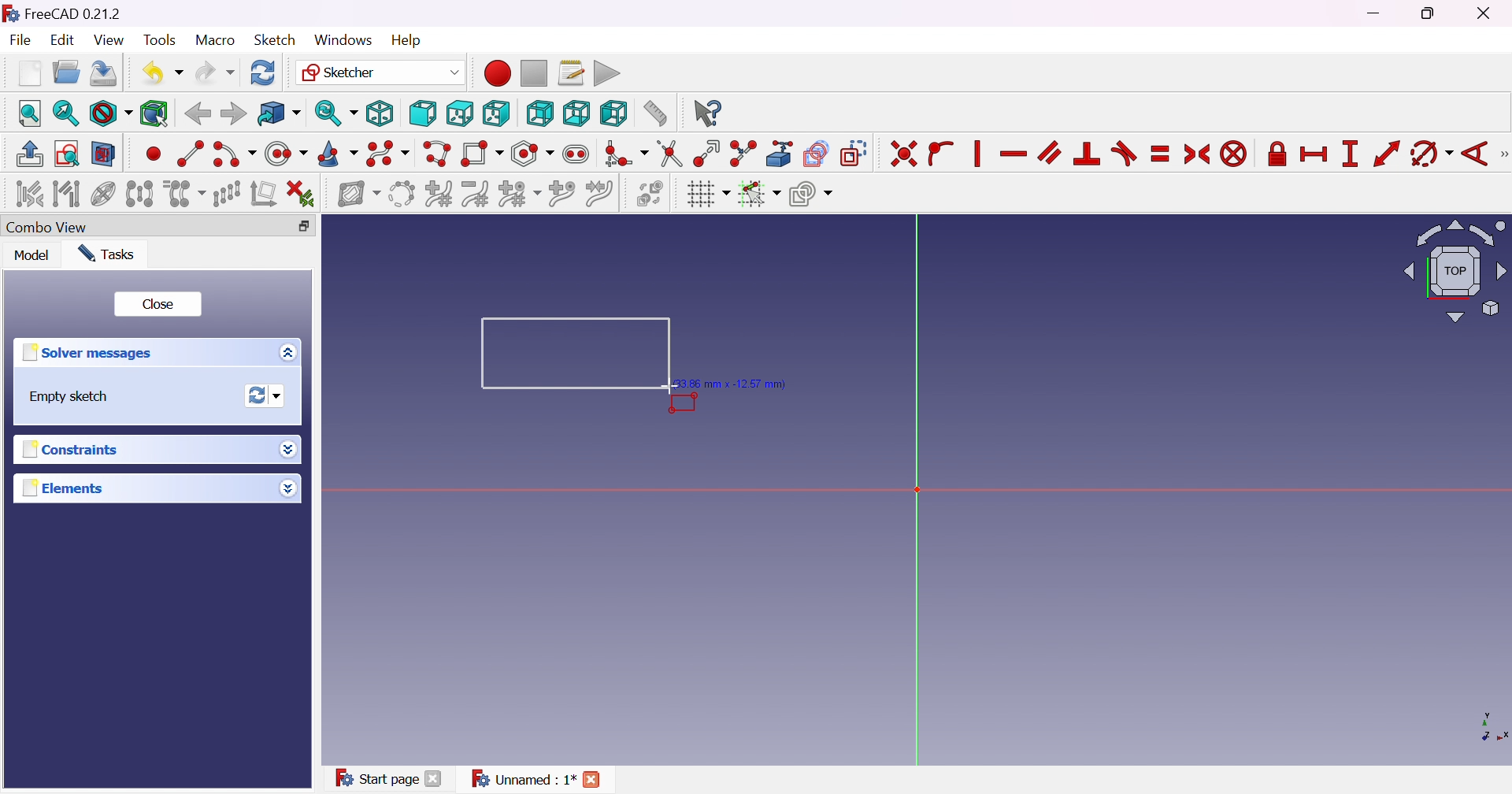  What do you see at coordinates (565, 351) in the screenshot?
I see `Rectangle` at bounding box center [565, 351].